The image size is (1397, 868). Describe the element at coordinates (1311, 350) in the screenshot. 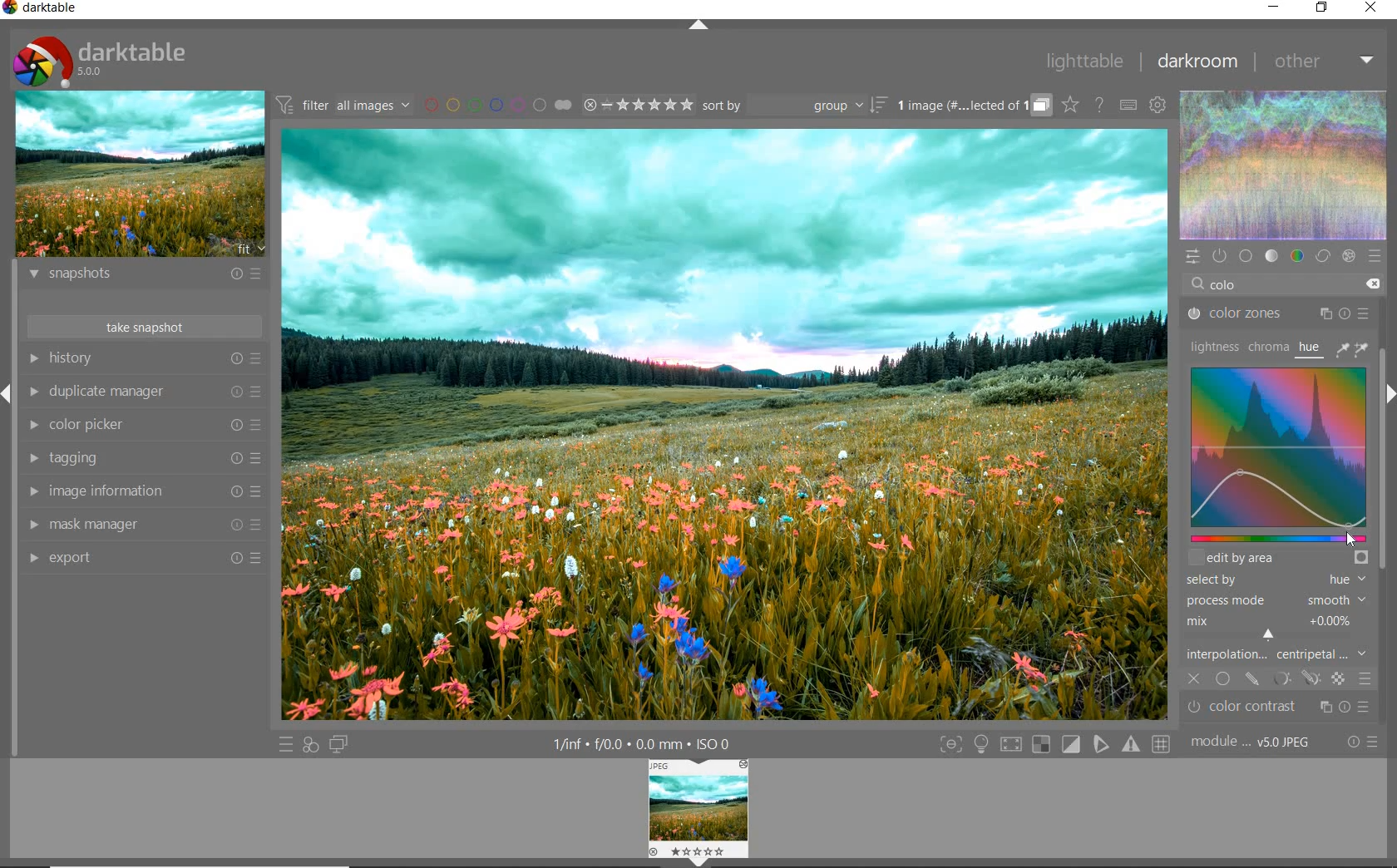

I see `hue` at that location.